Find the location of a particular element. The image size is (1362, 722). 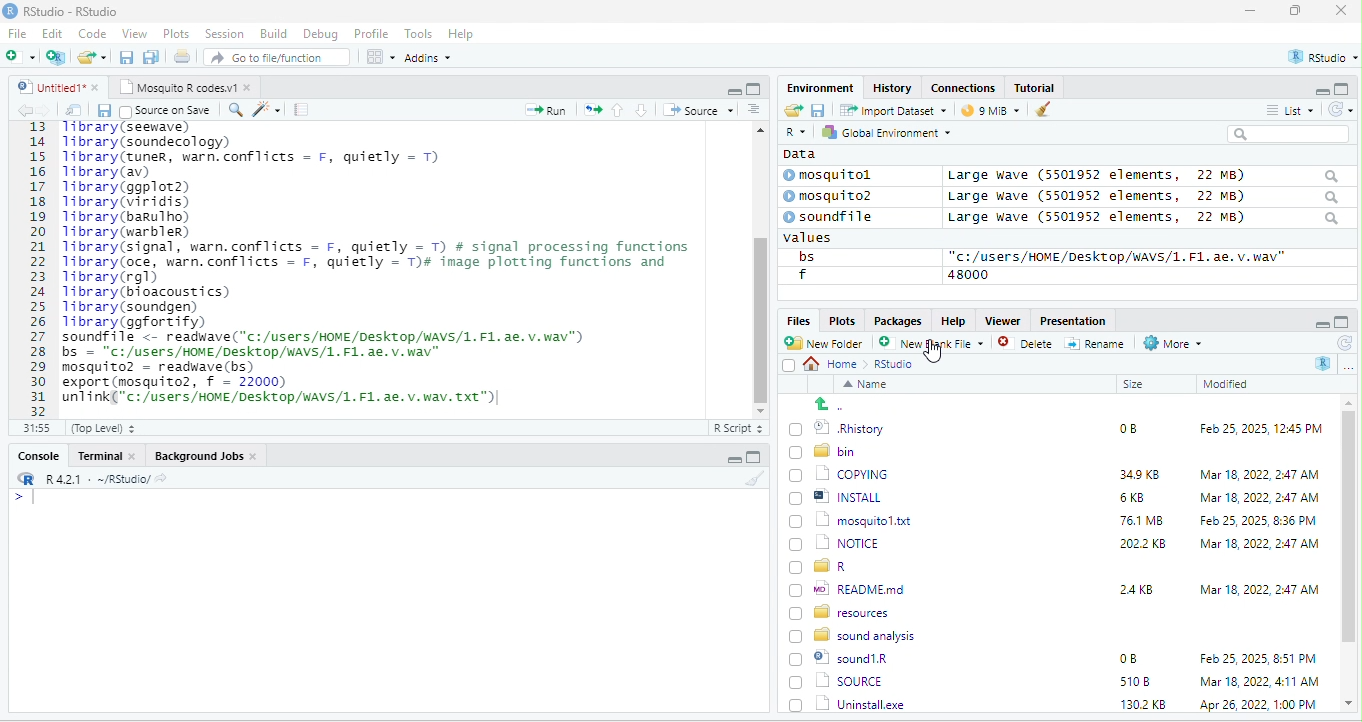

| @] INSTALL is located at coordinates (839, 496).